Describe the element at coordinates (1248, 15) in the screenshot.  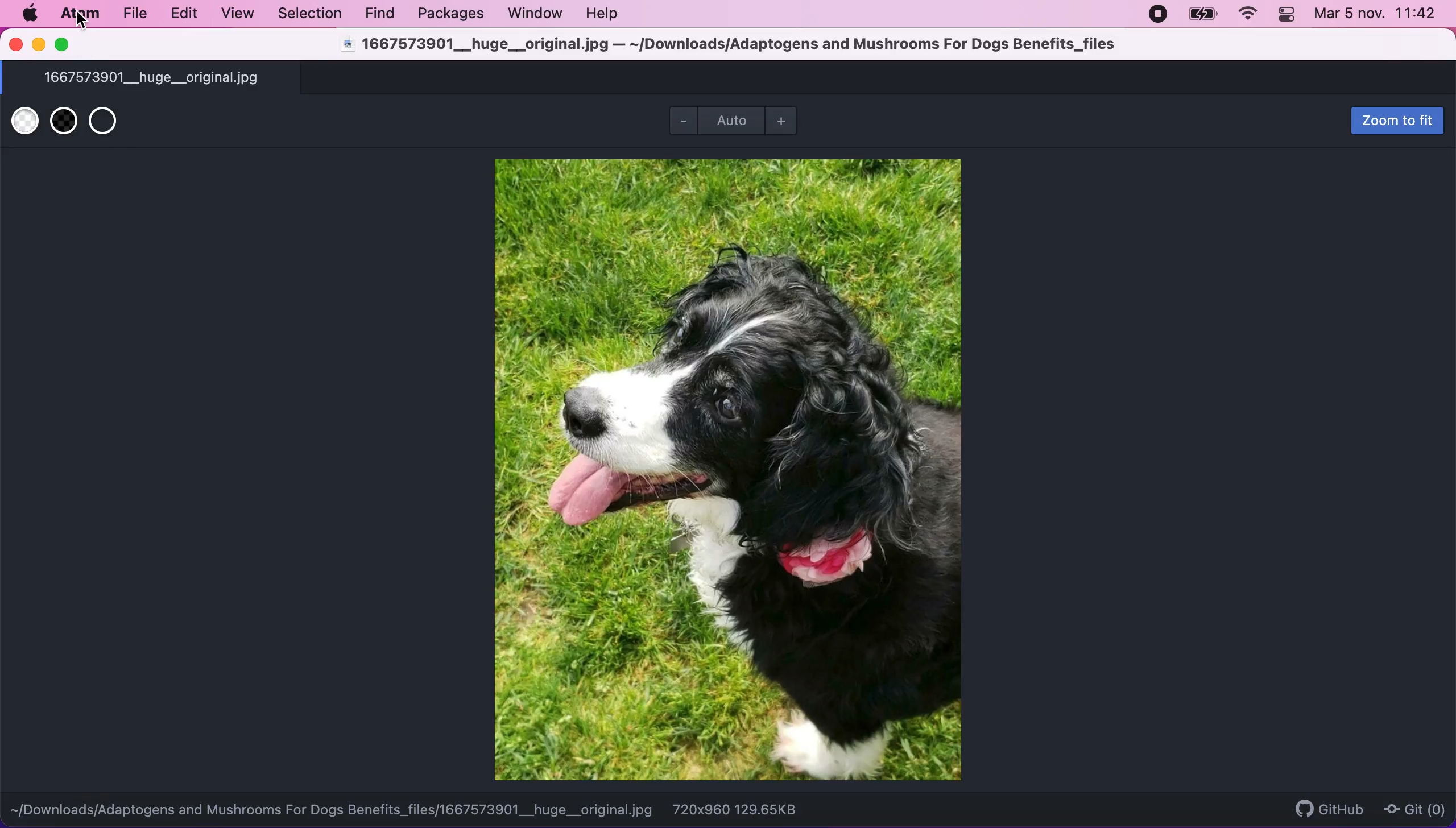
I see `wifi` at that location.